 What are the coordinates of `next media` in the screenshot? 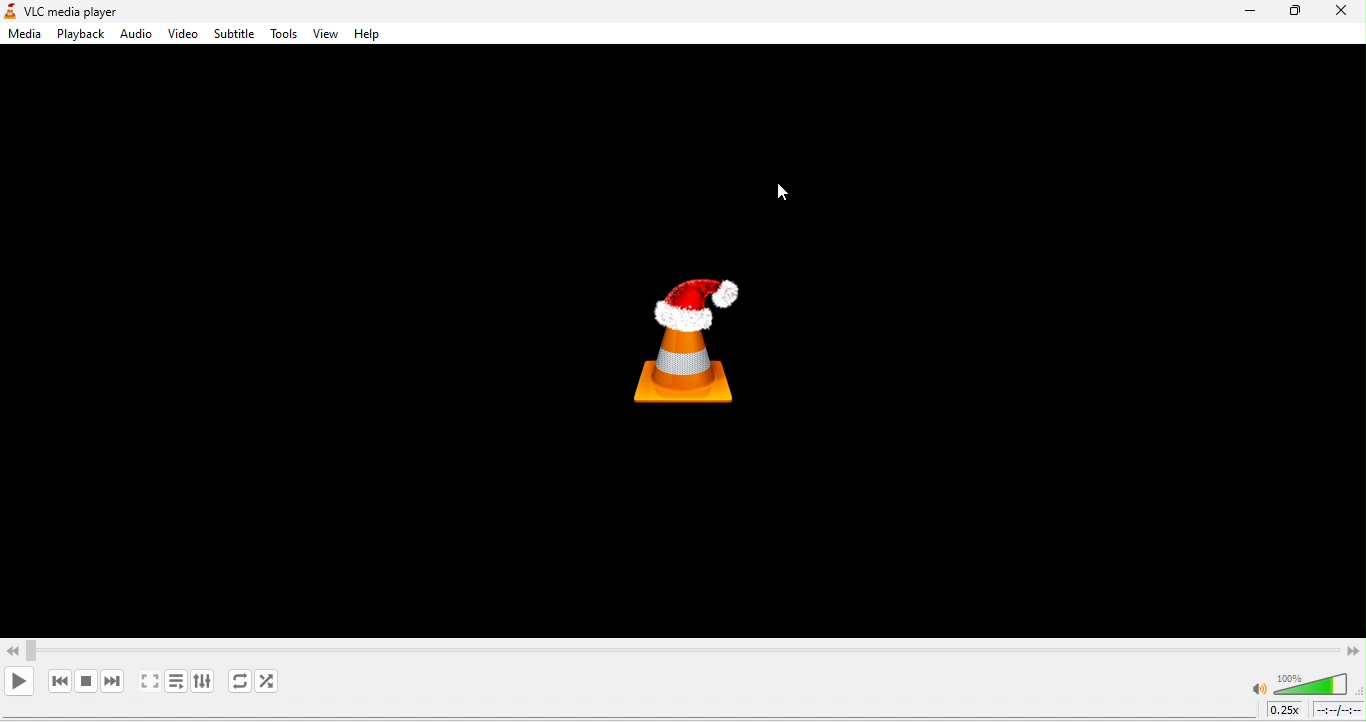 It's located at (109, 684).